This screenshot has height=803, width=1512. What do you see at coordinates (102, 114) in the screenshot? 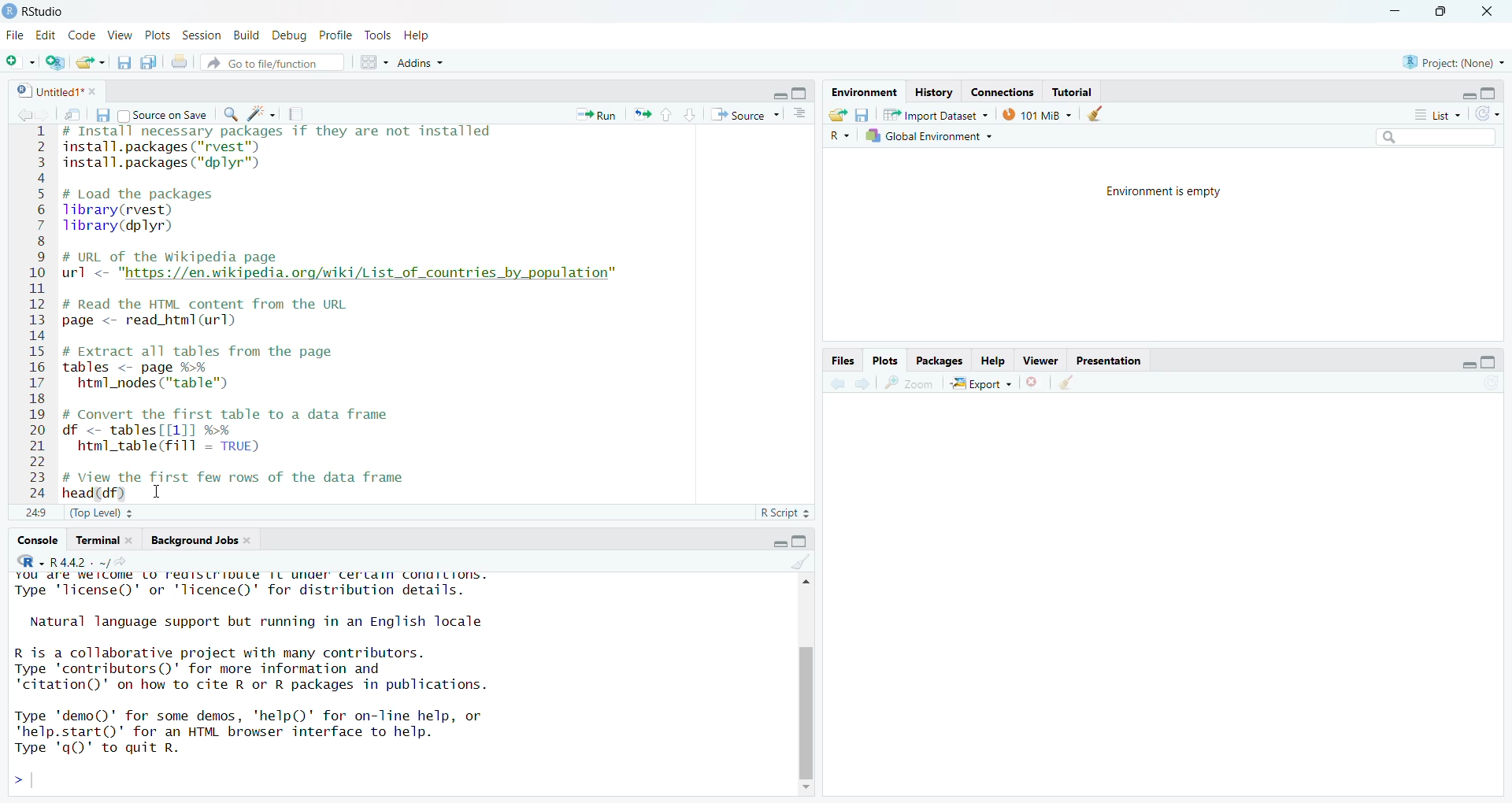
I see `save` at bounding box center [102, 114].